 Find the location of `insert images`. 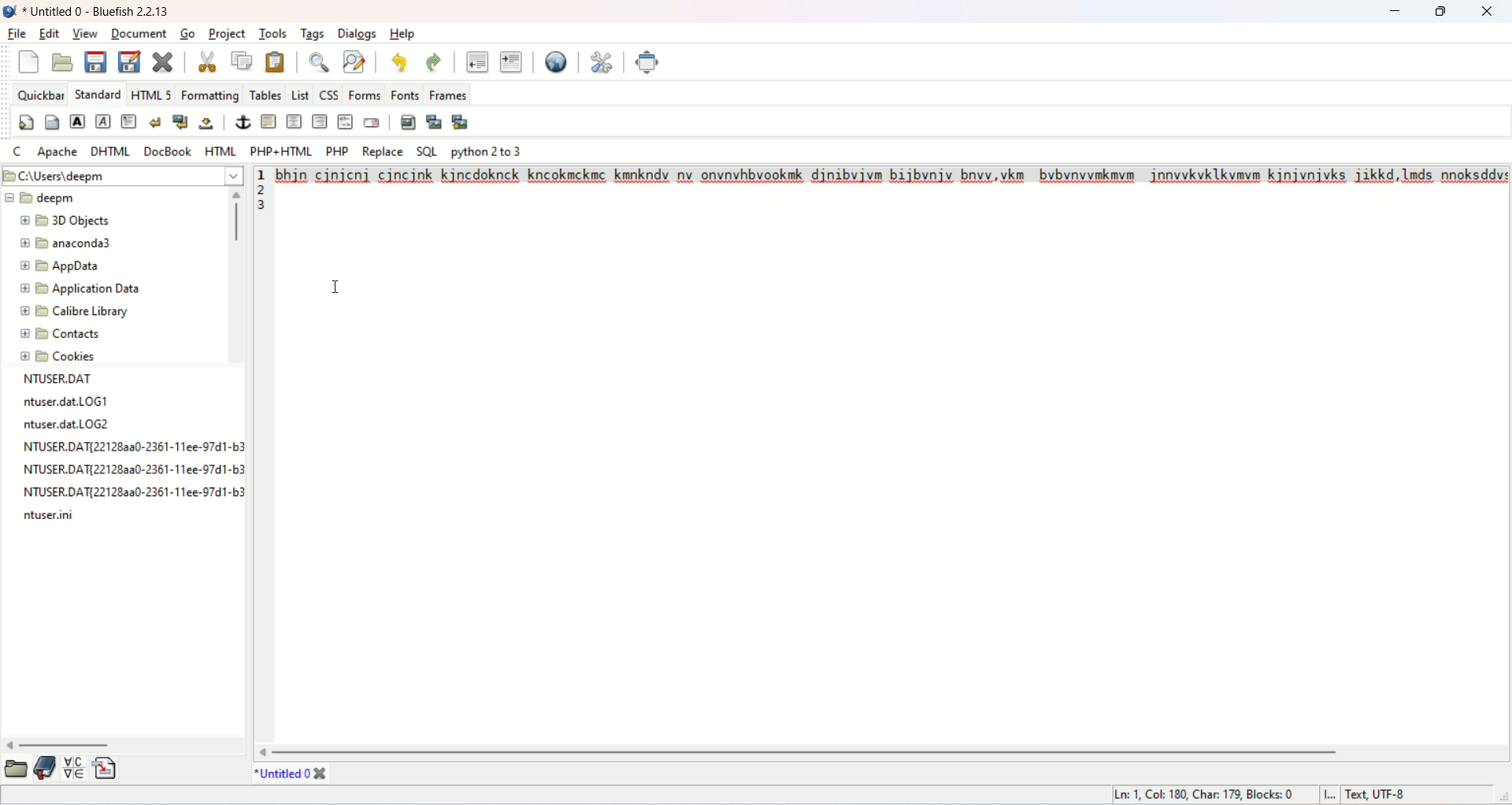

insert images is located at coordinates (406, 123).